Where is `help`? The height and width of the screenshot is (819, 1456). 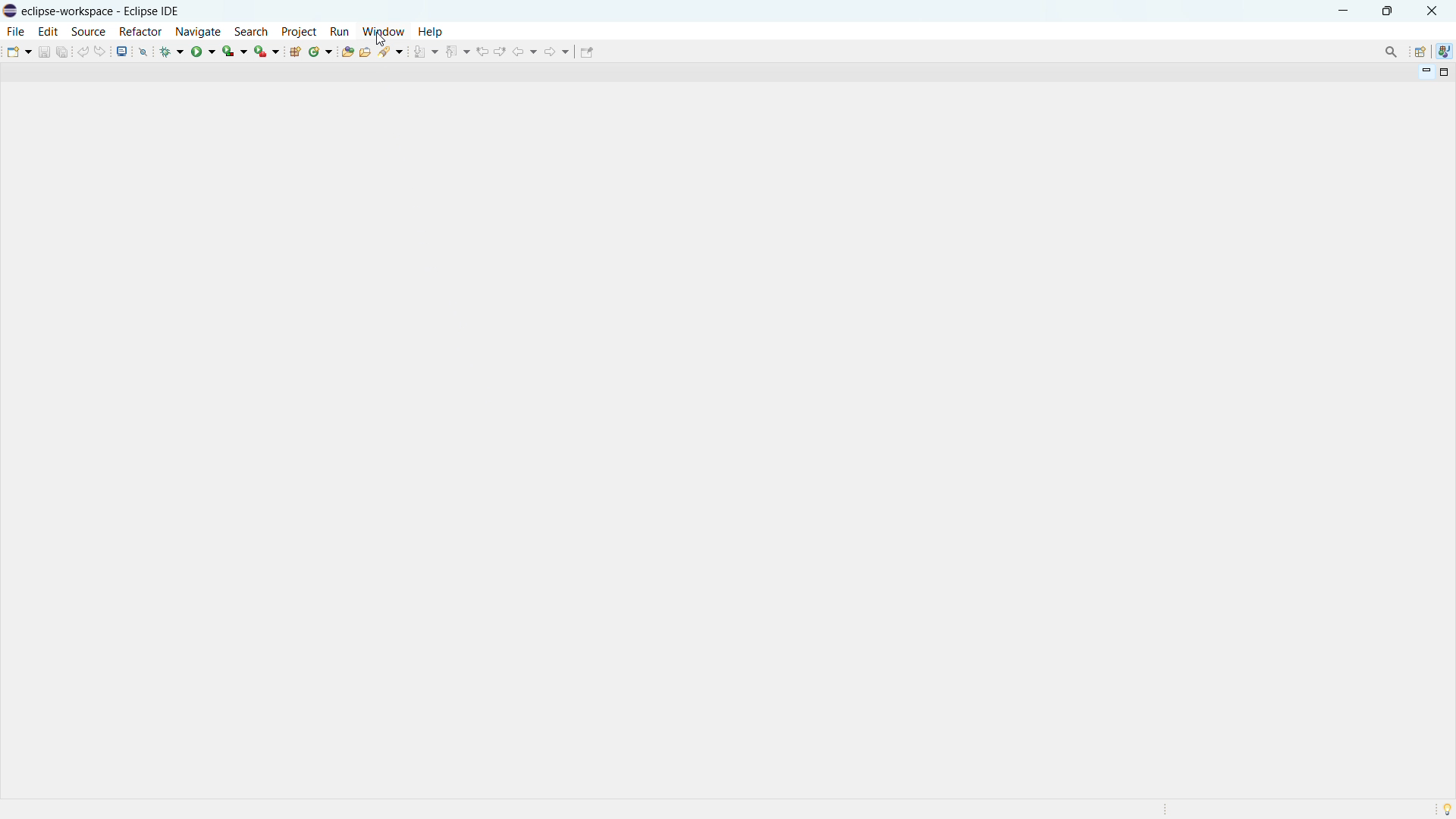 help is located at coordinates (431, 32).